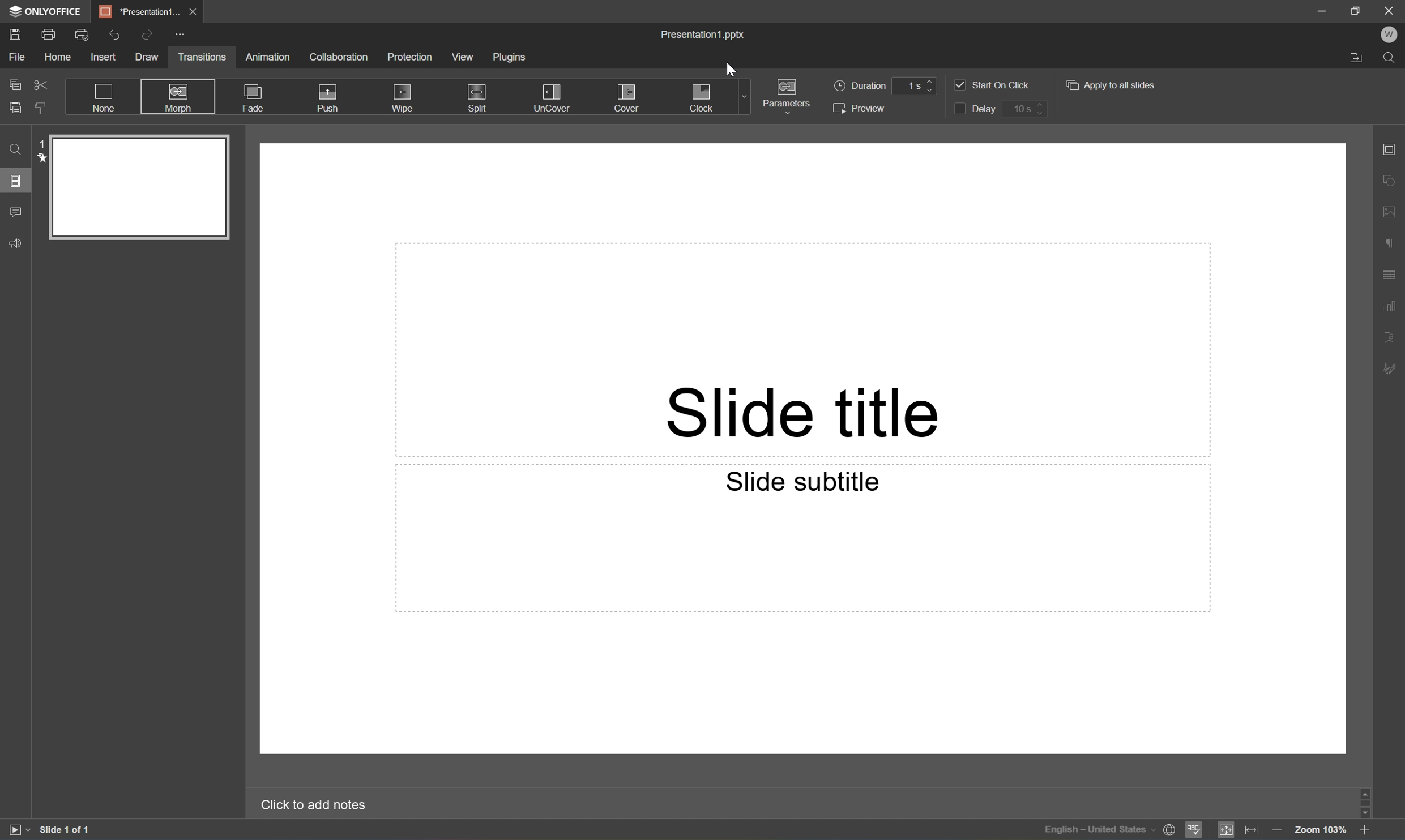  Describe the element at coordinates (463, 57) in the screenshot. I see `View` at that location.